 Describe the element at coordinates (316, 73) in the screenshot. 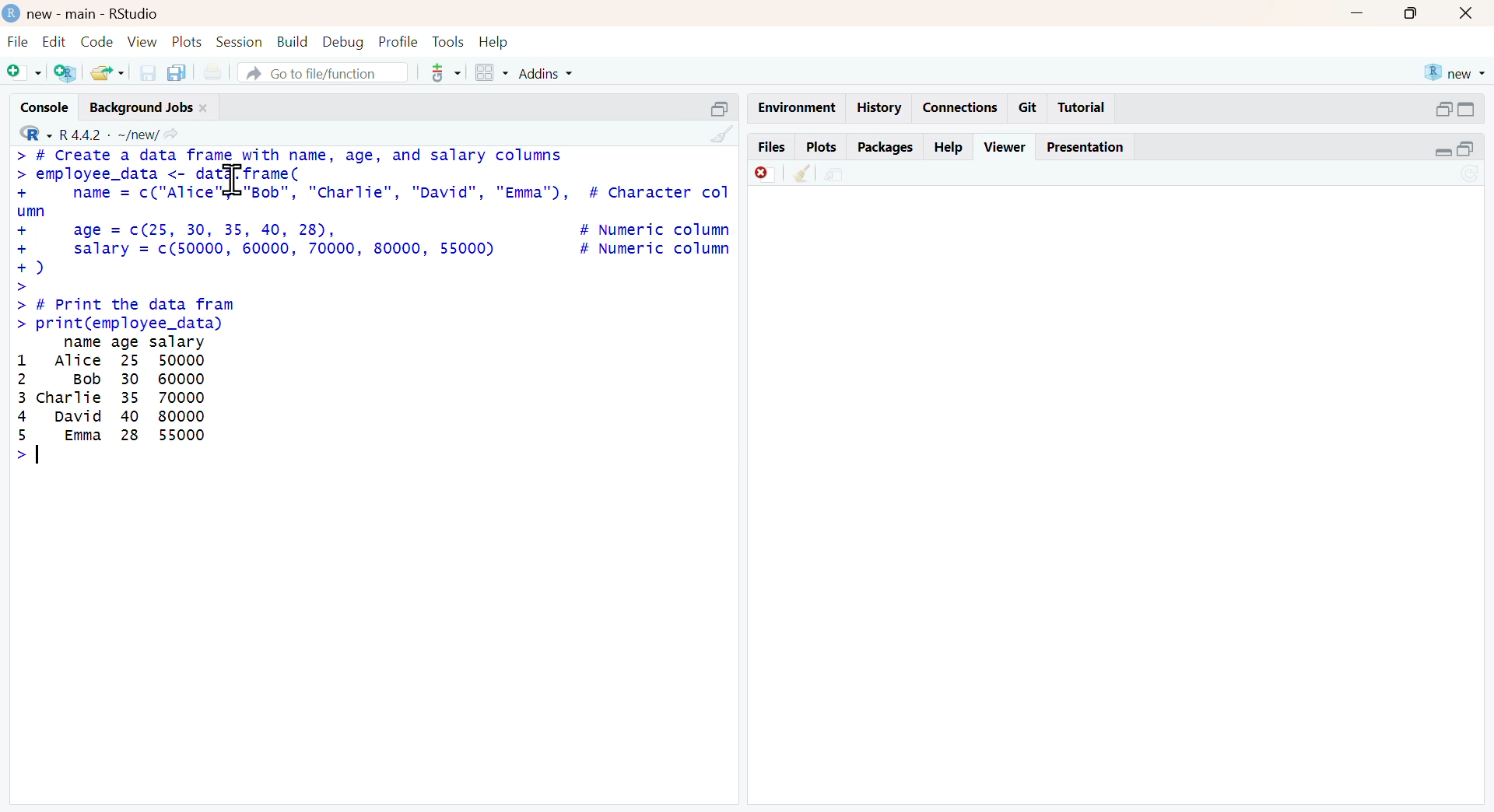

I see `A Go to file/function` at that location.